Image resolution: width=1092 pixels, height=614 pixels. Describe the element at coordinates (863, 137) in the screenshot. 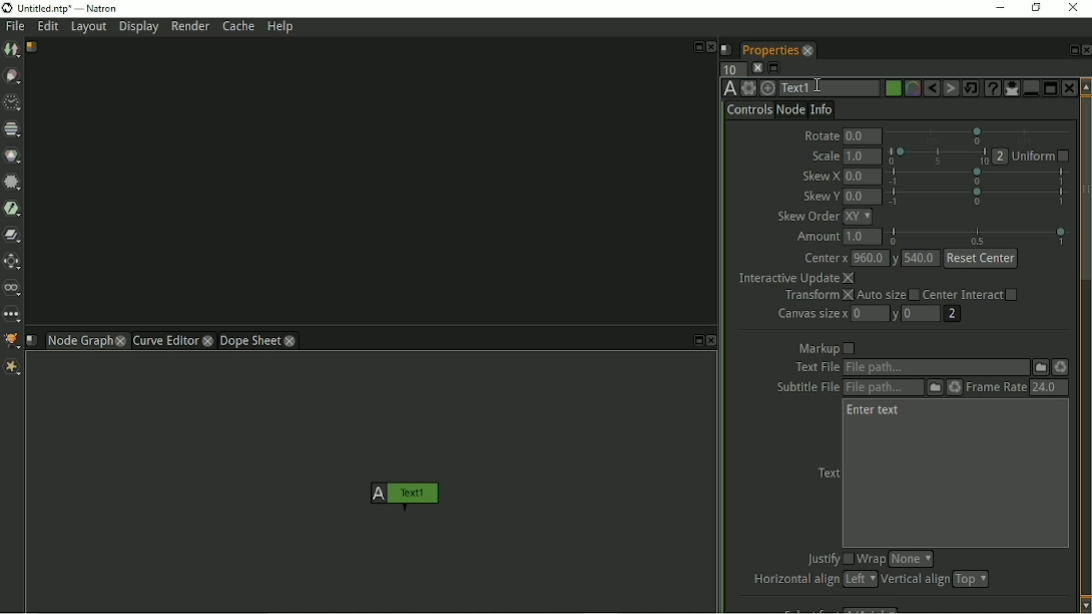

I see `0.0` at that location.